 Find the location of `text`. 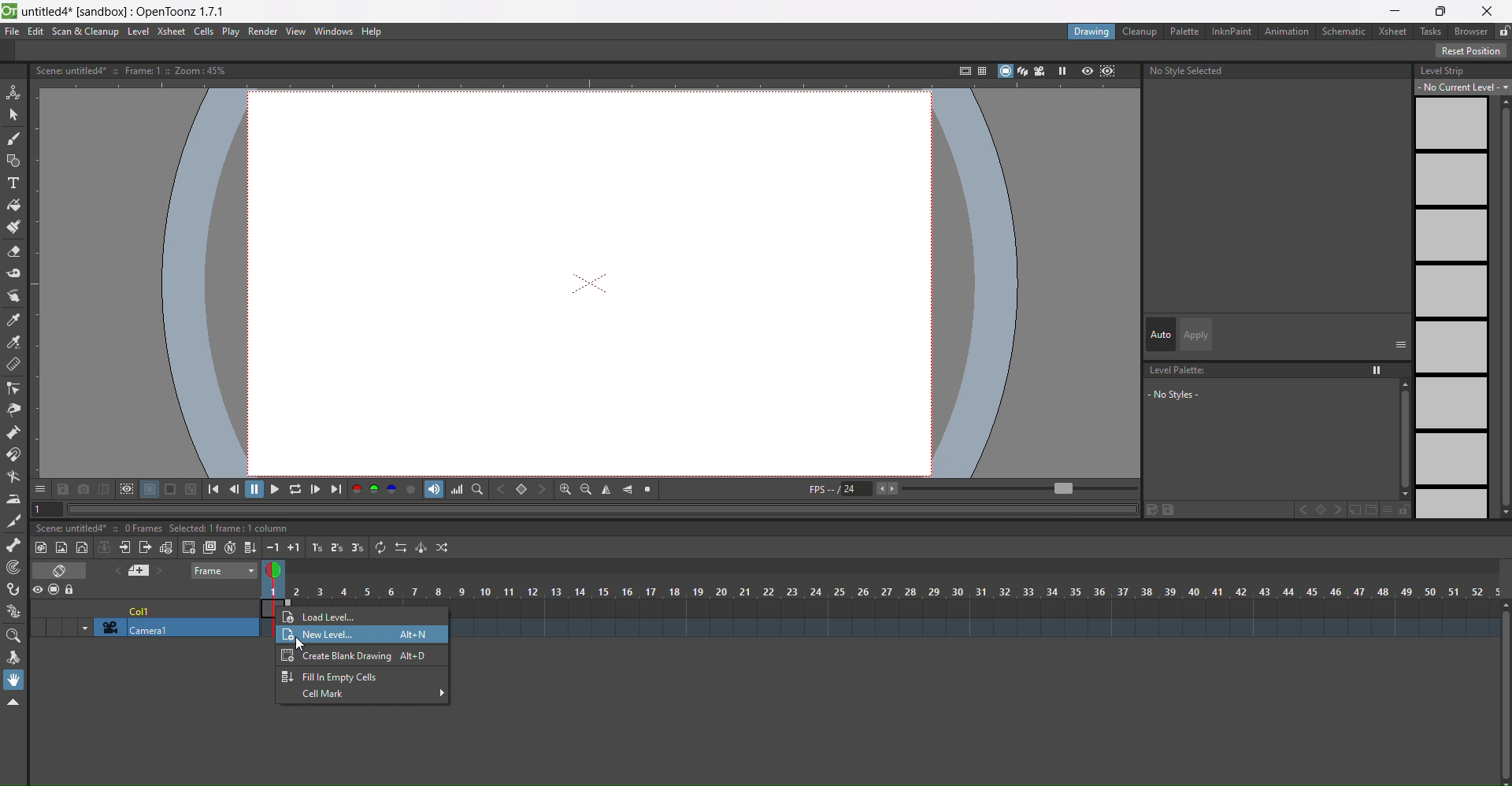

text is located at coordinates (165, 528).